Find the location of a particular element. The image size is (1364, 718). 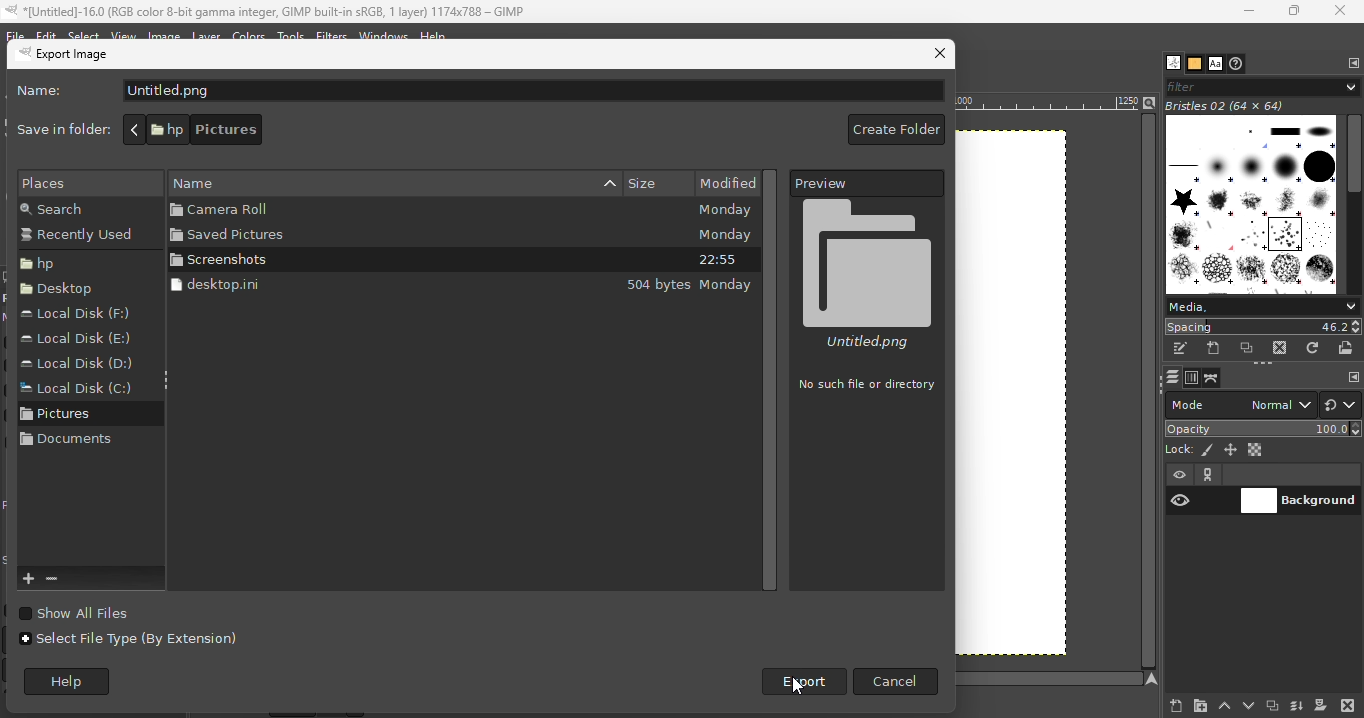

cratee a new layer group is located at coordinates (1199, 705).